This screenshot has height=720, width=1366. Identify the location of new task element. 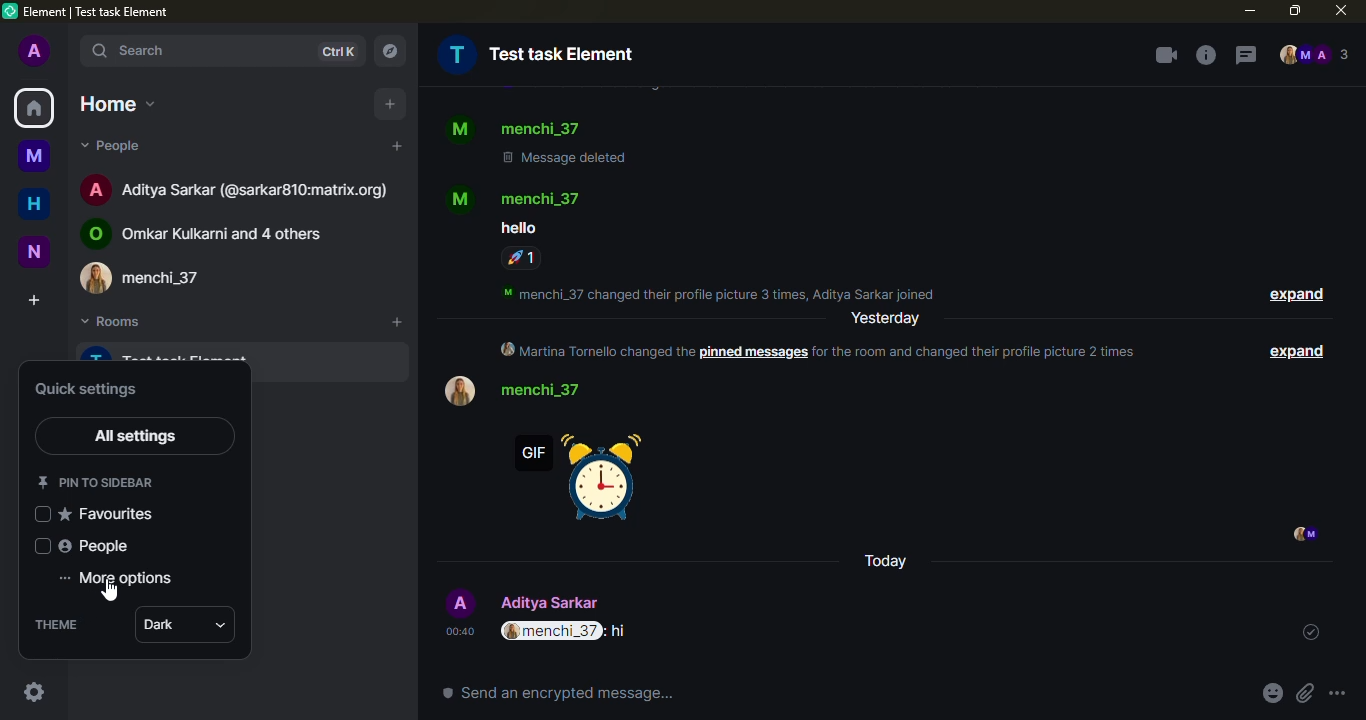
(542, 54).